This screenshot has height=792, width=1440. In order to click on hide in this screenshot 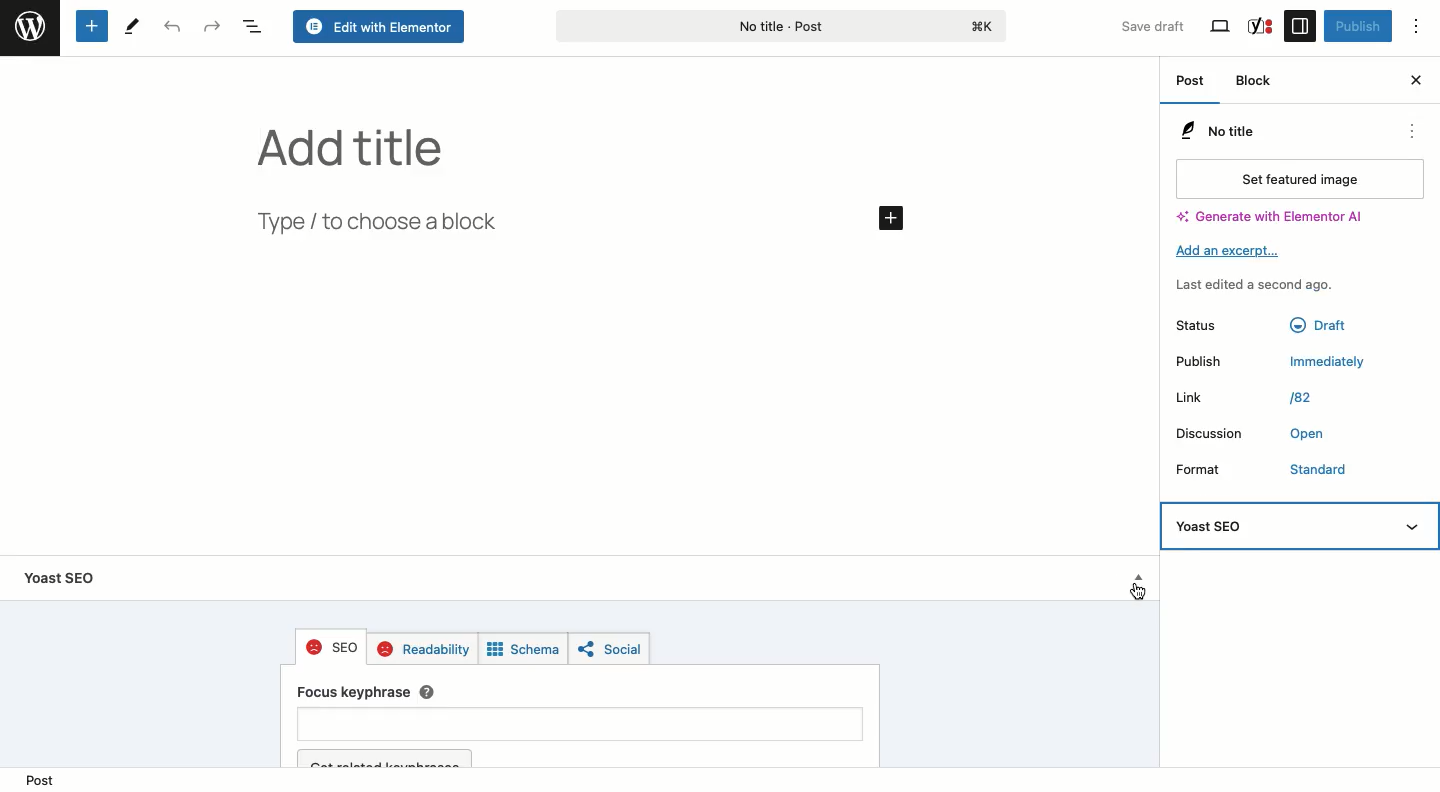, I will do `click(1414, 526)`.